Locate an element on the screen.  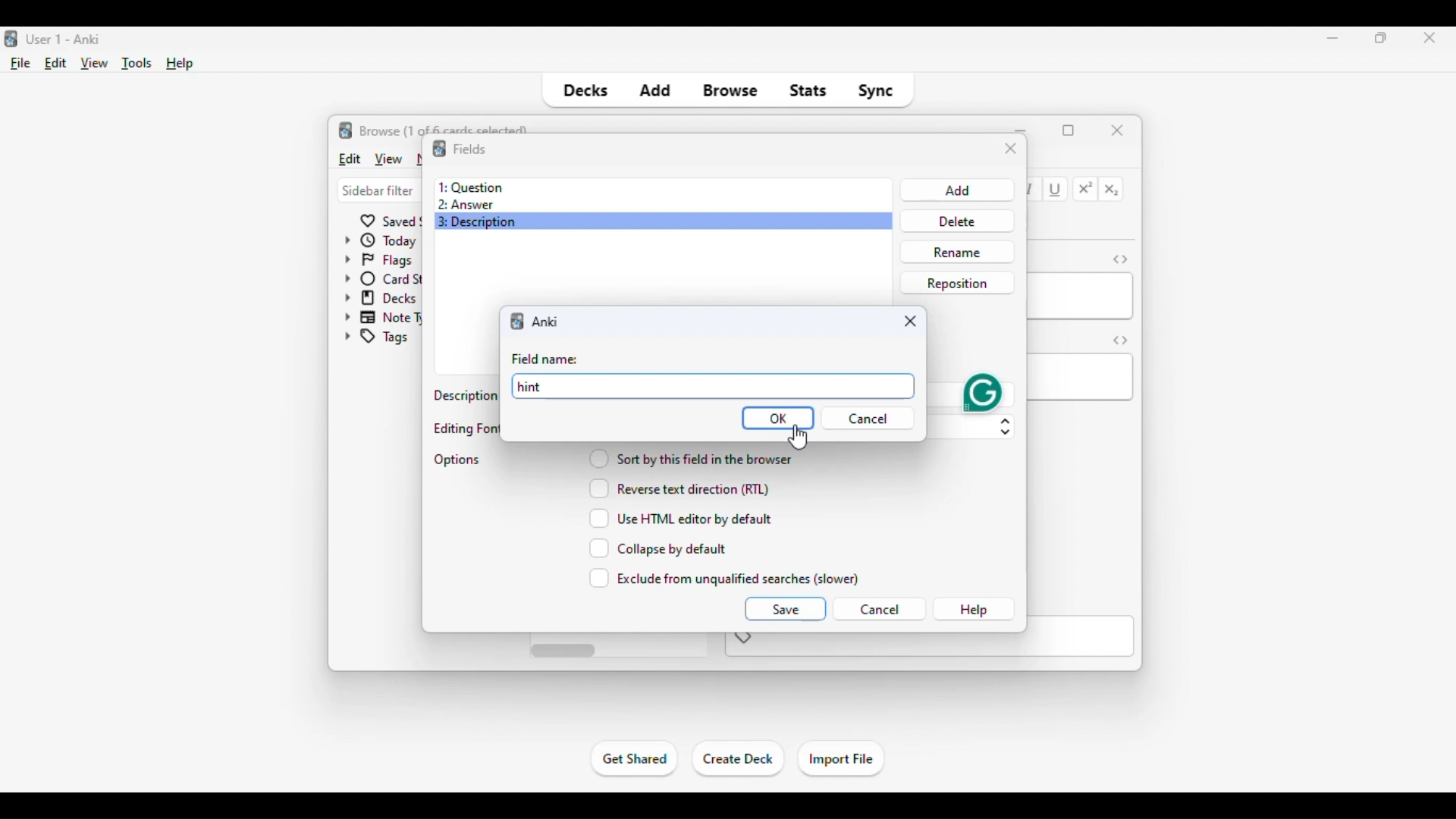
close is located at coordinates (1118, 129).